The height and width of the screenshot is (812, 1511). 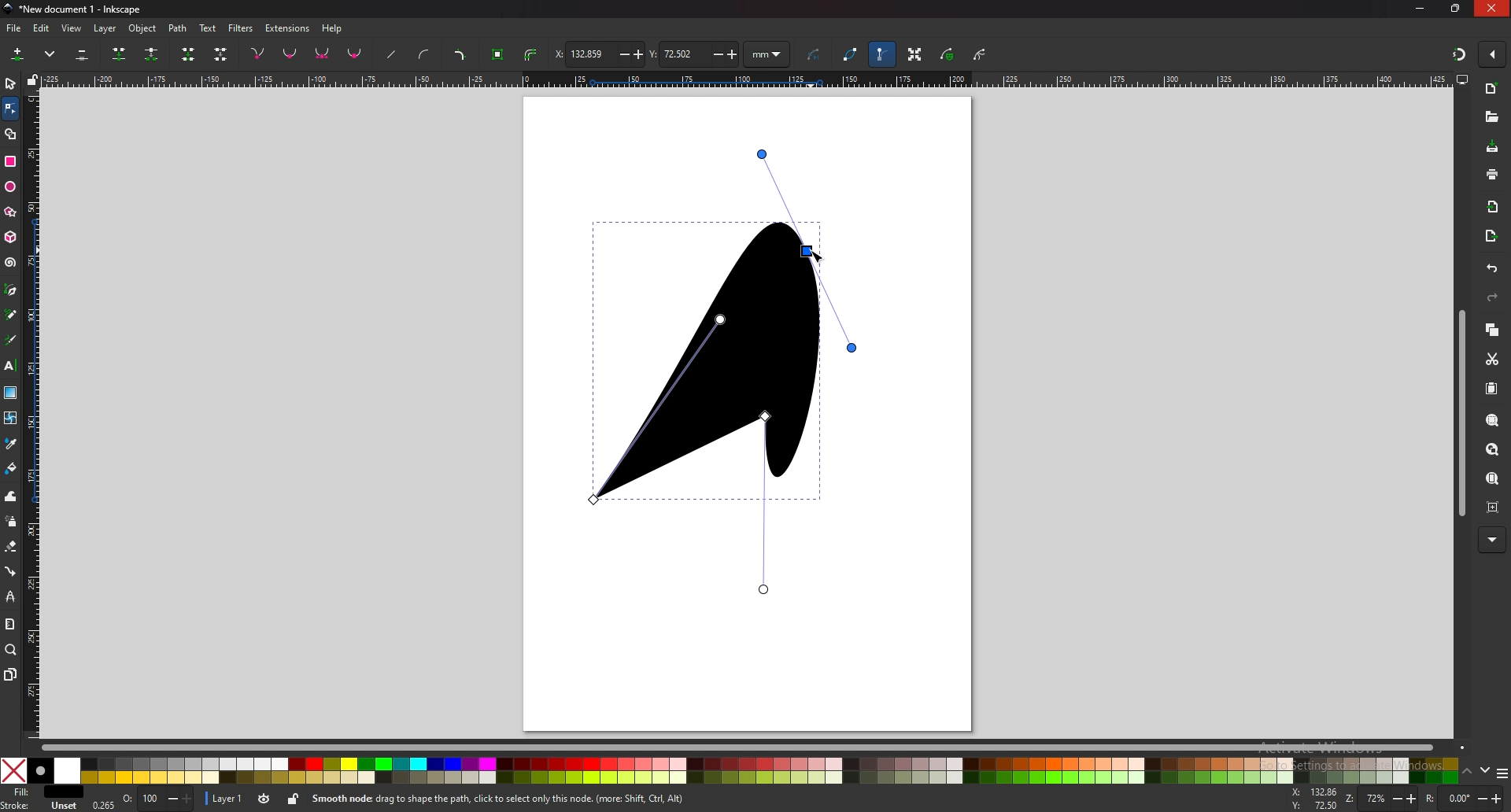 What do you see at coordinates (1456, 8) in the screenshot?
I see `resize` at bounding box center [1456, 8].